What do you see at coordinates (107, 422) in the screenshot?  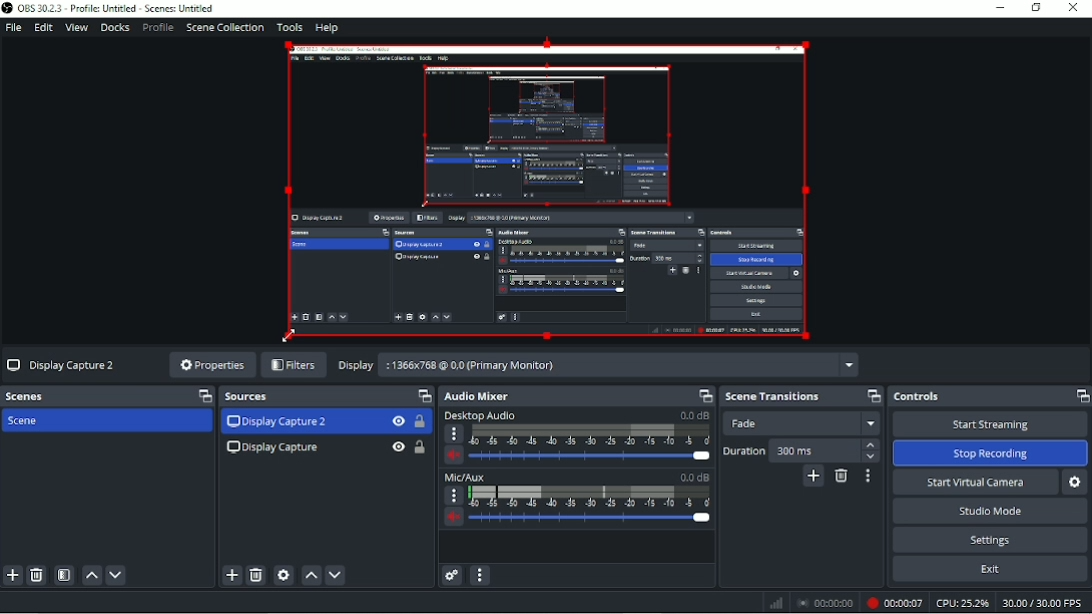 I see `Scene` at bounding box center [107, 422].